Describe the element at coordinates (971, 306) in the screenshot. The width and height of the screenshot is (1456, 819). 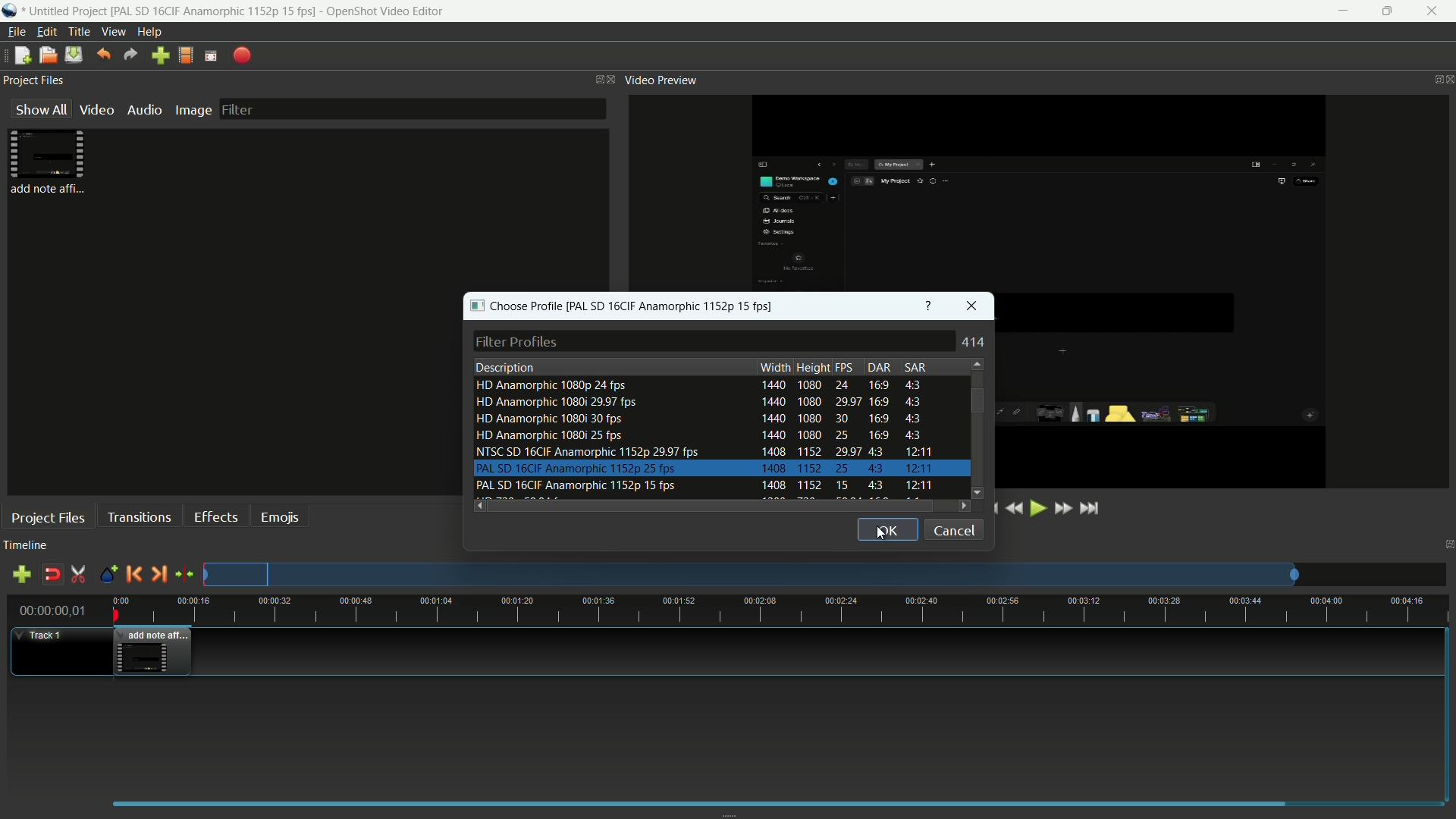
I see `close window` at that location.